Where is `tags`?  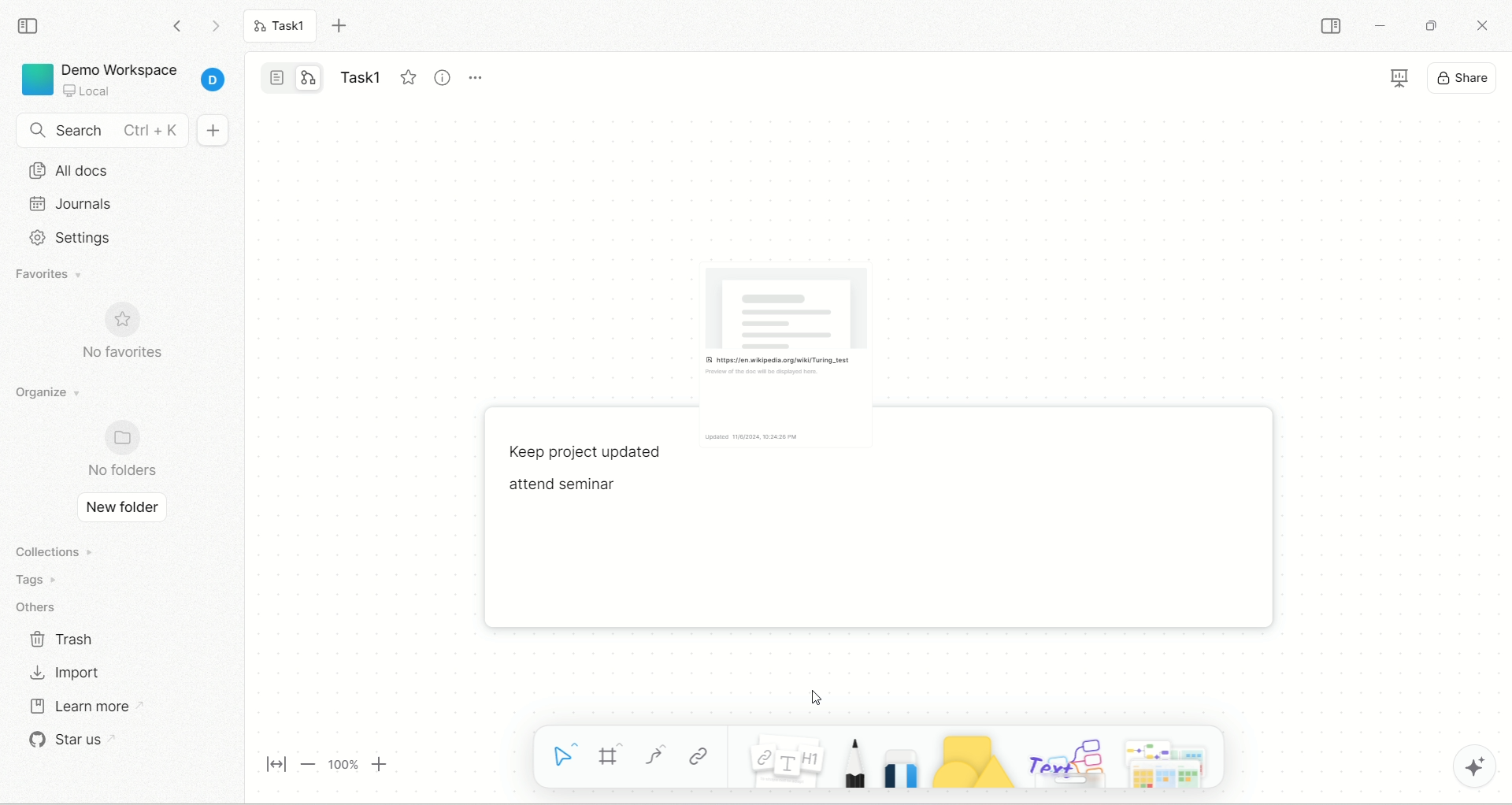 tags is located at coordinates (46, 580).